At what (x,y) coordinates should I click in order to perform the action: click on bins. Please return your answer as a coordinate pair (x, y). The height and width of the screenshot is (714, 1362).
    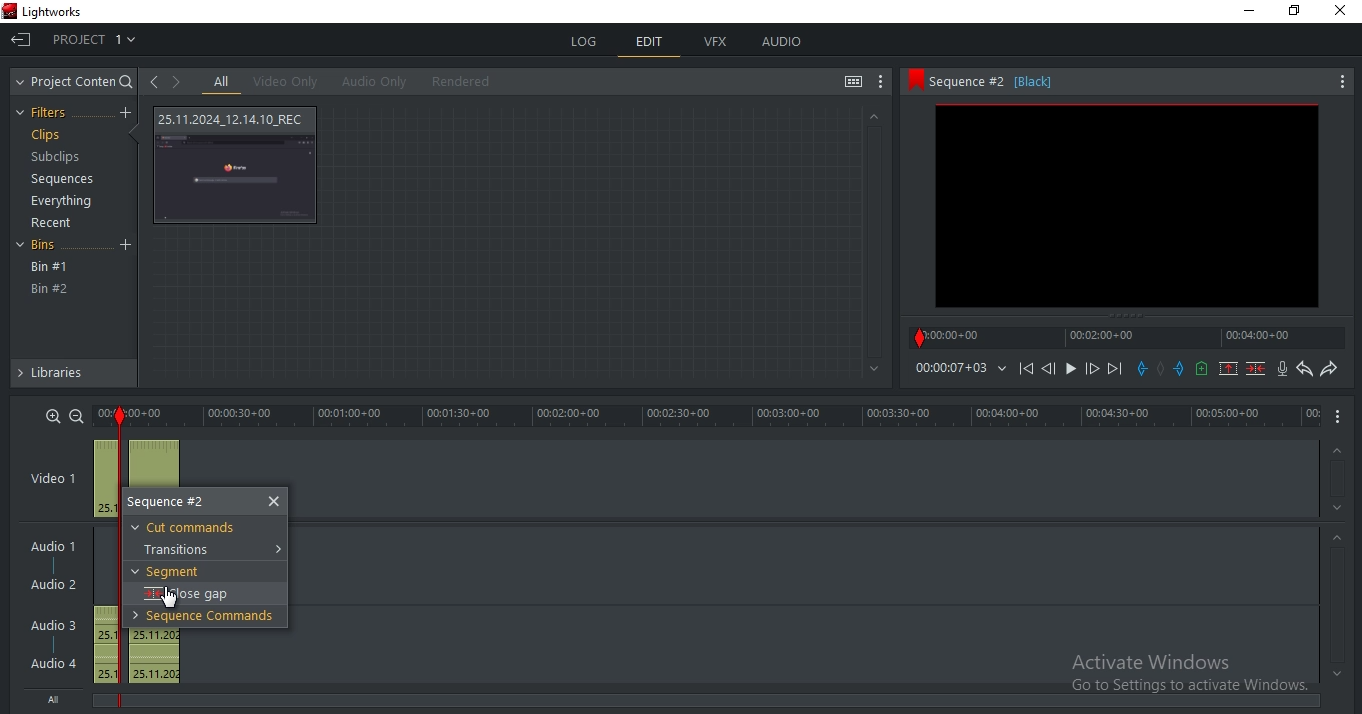
    Looking at the image, I should click on (49, 247).